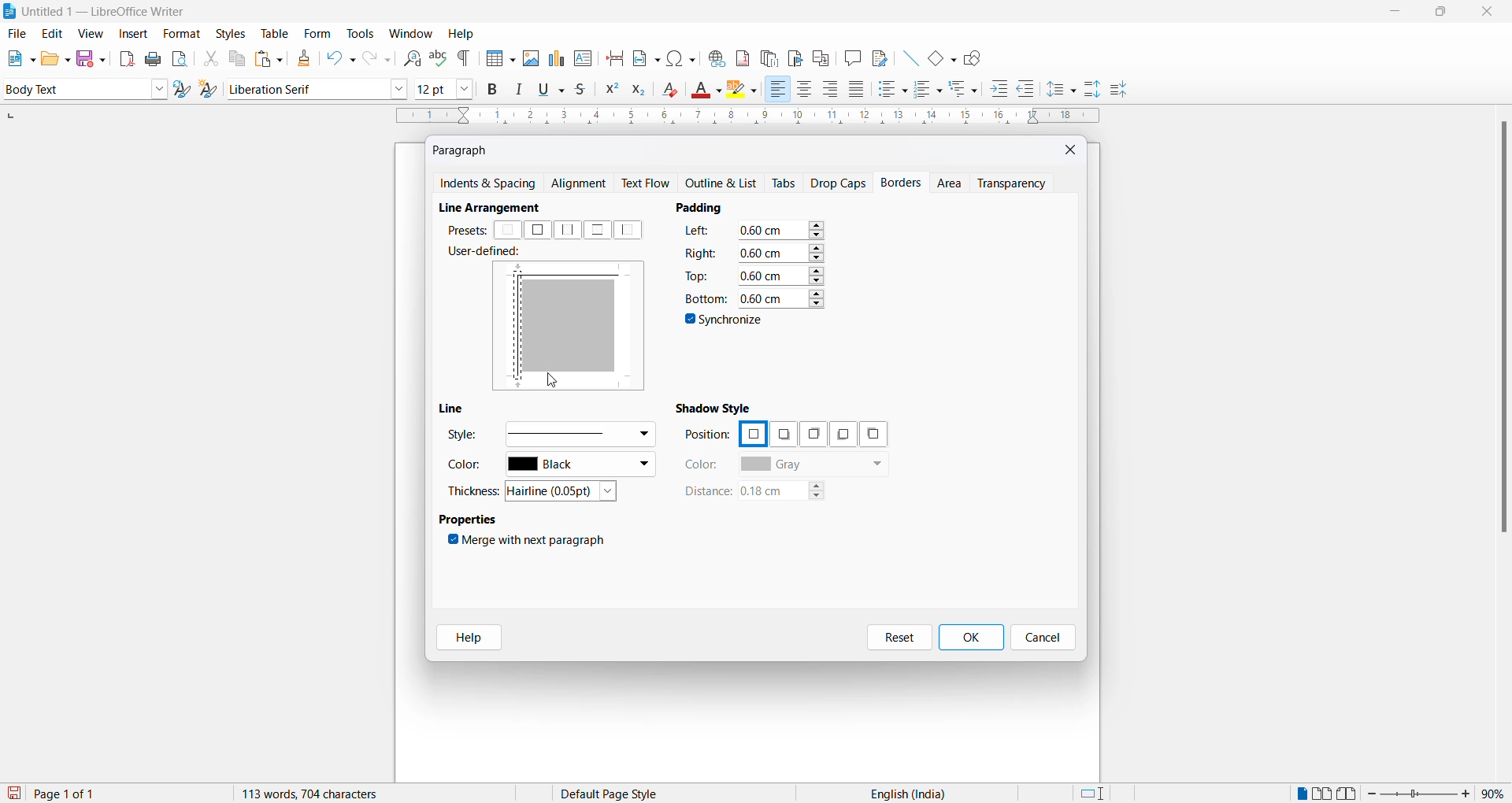  Describe the element at coordinates (489, 184) in the screenshot. I see `indent and spacing` at that location.